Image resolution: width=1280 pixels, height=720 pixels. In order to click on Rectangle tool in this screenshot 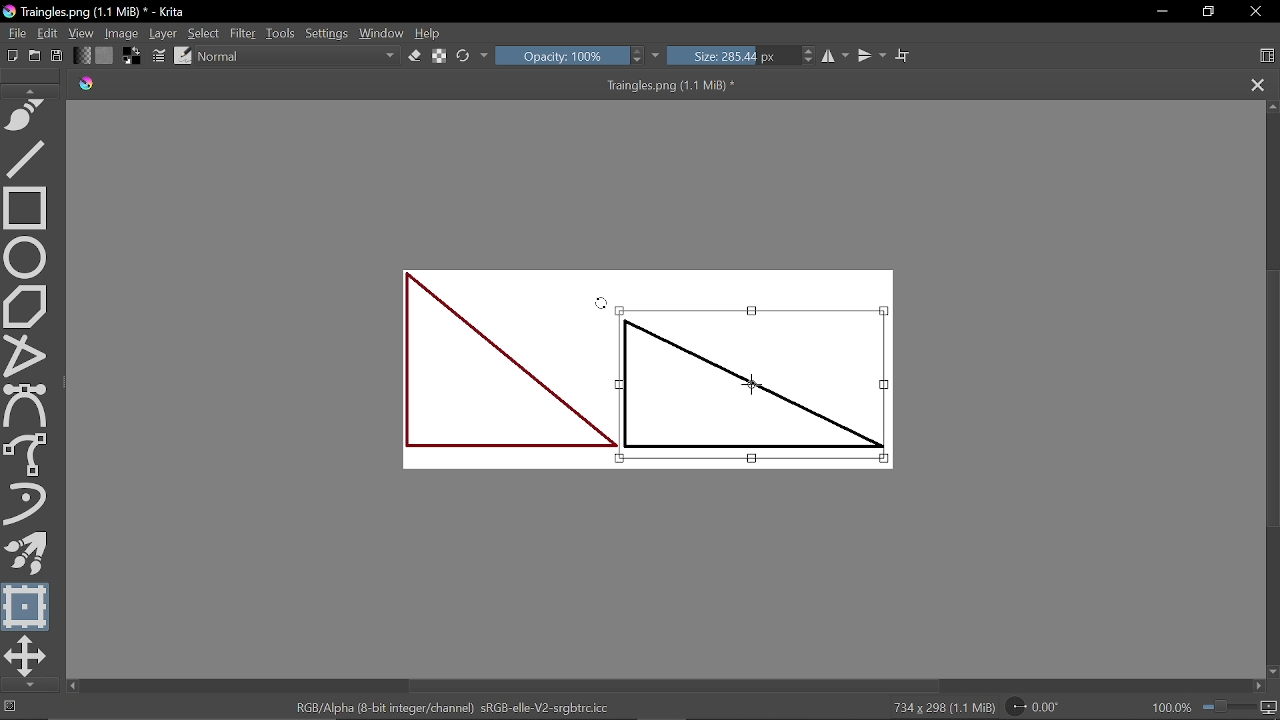, I will do `click(26, 207)`.